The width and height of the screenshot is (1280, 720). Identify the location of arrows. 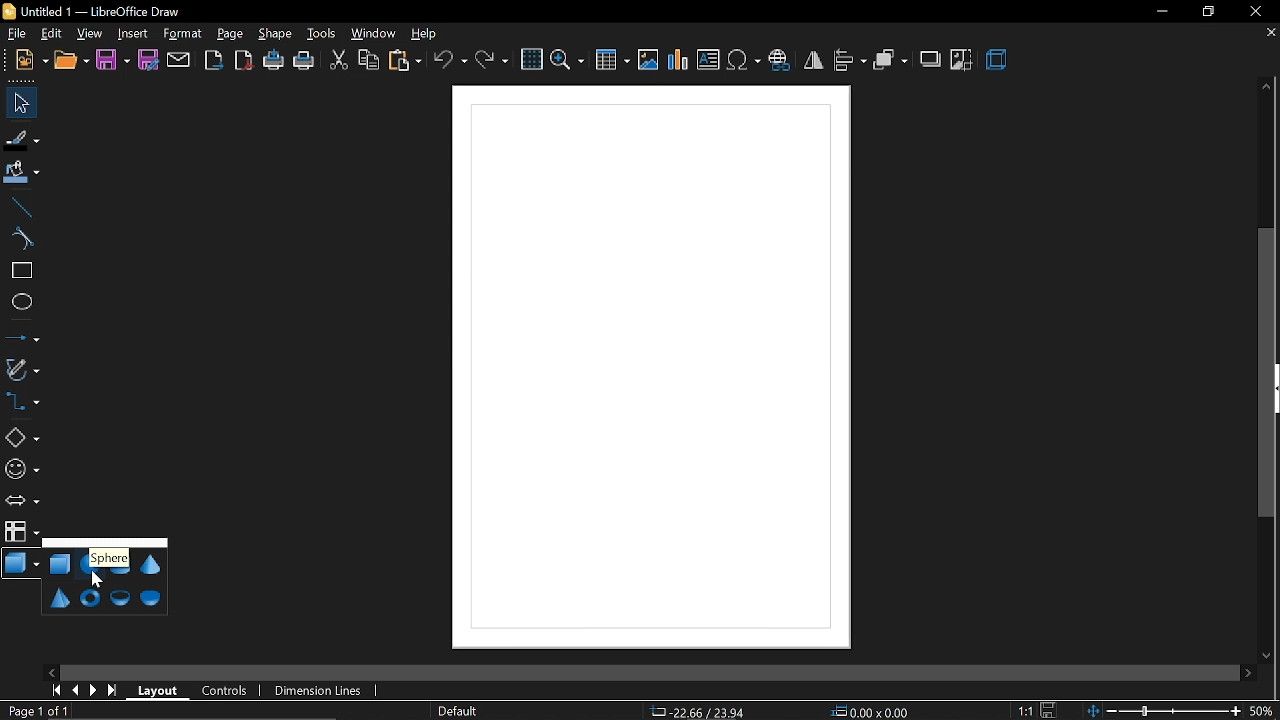
(23, 502).